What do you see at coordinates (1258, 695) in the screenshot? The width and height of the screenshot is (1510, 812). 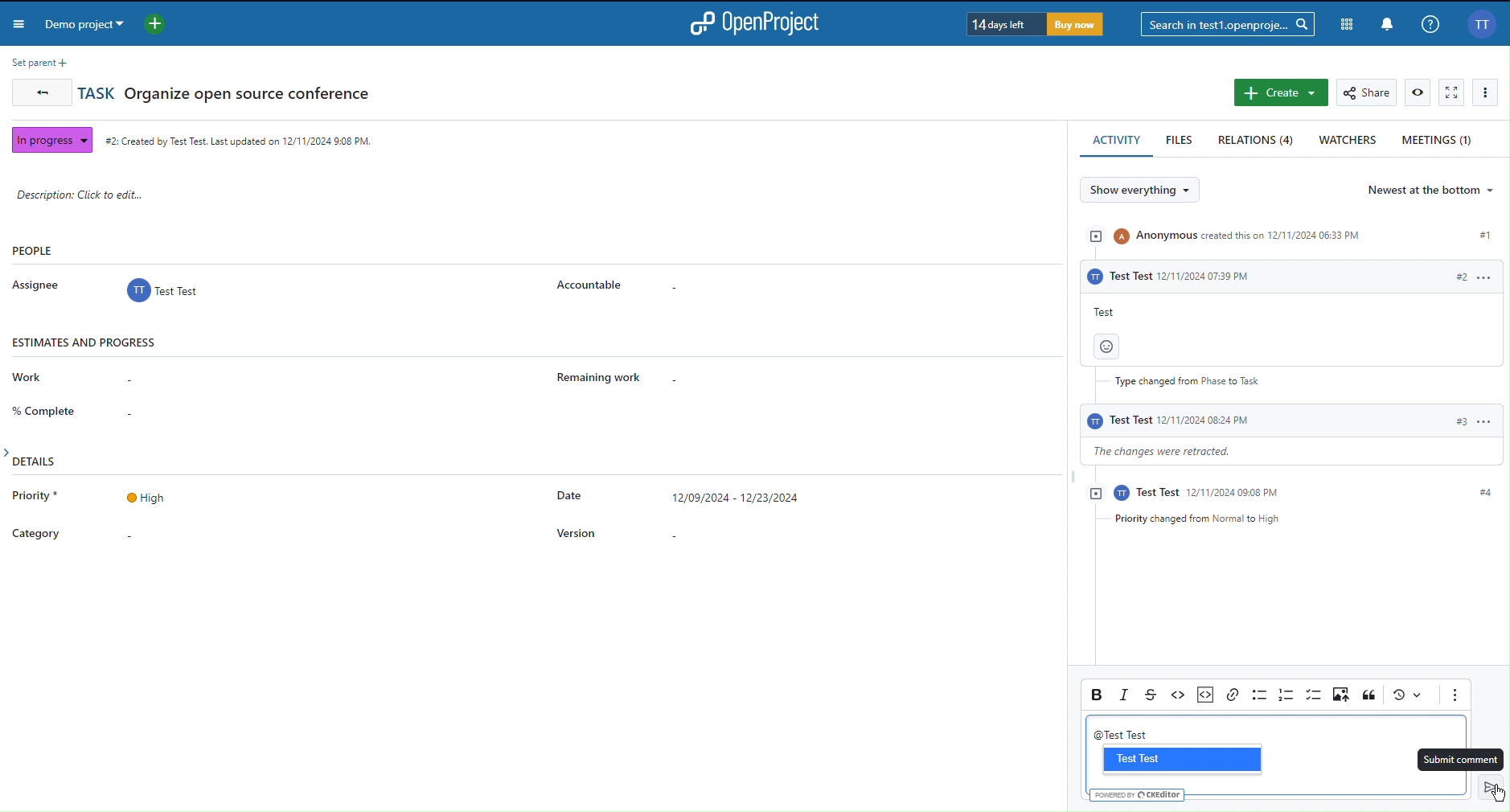 I see `Bullet List` at bounding box center [1258, 695].